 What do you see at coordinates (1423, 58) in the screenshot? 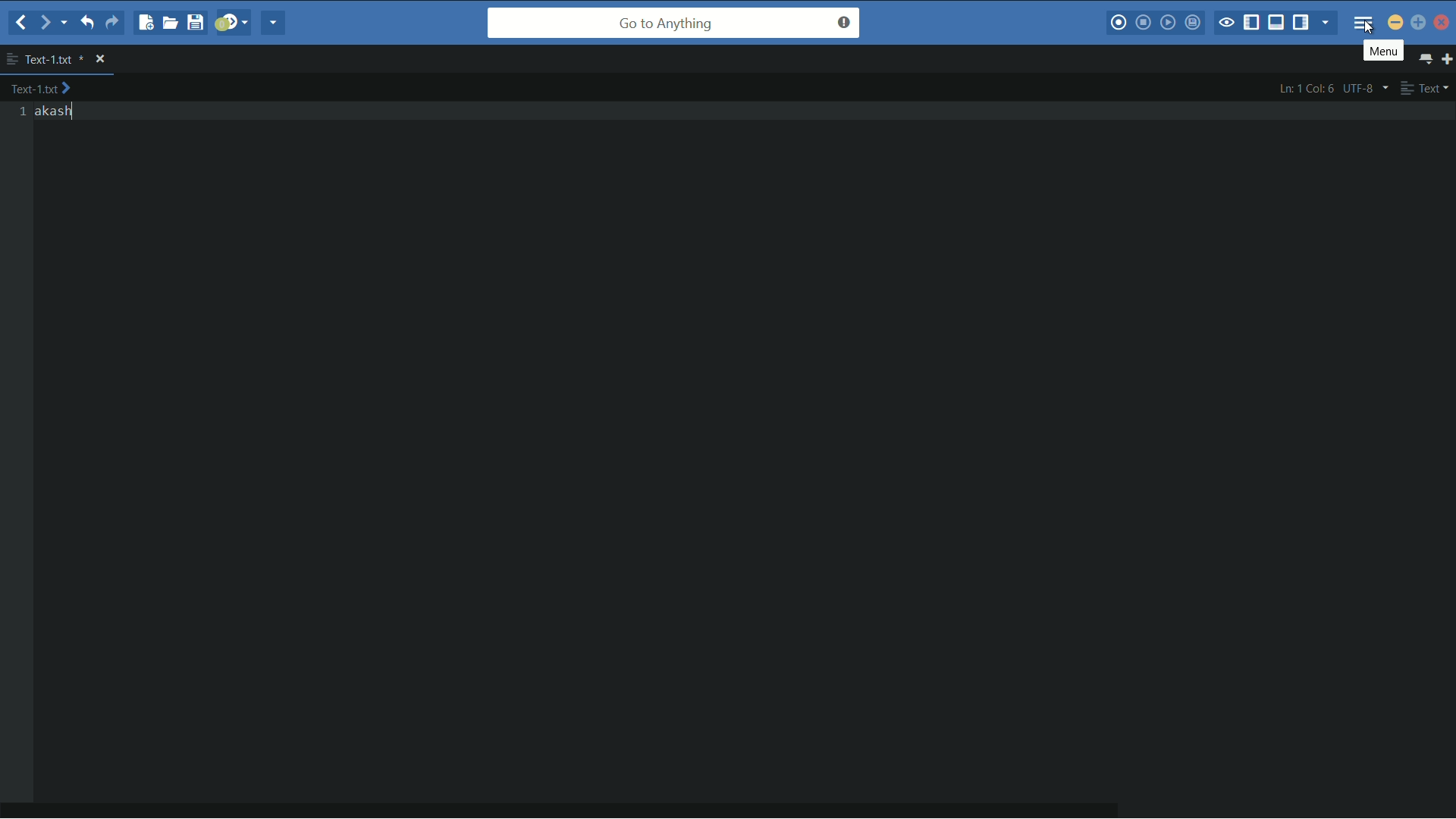
I see `show all tabs` at bounding box center [1423, 58].